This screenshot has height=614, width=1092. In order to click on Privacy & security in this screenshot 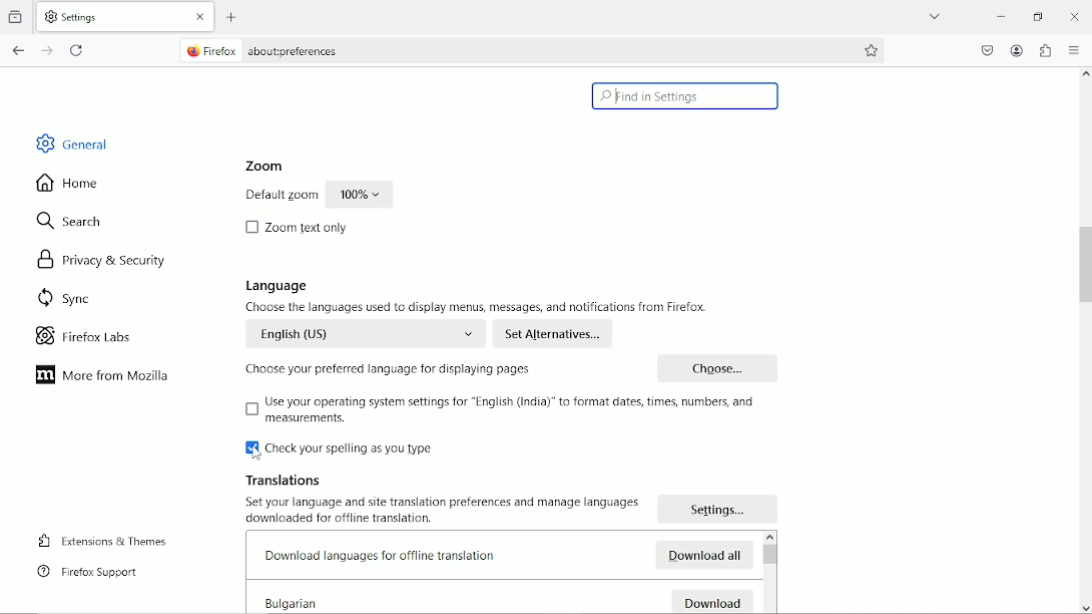, I will do `click(96, 260)`.